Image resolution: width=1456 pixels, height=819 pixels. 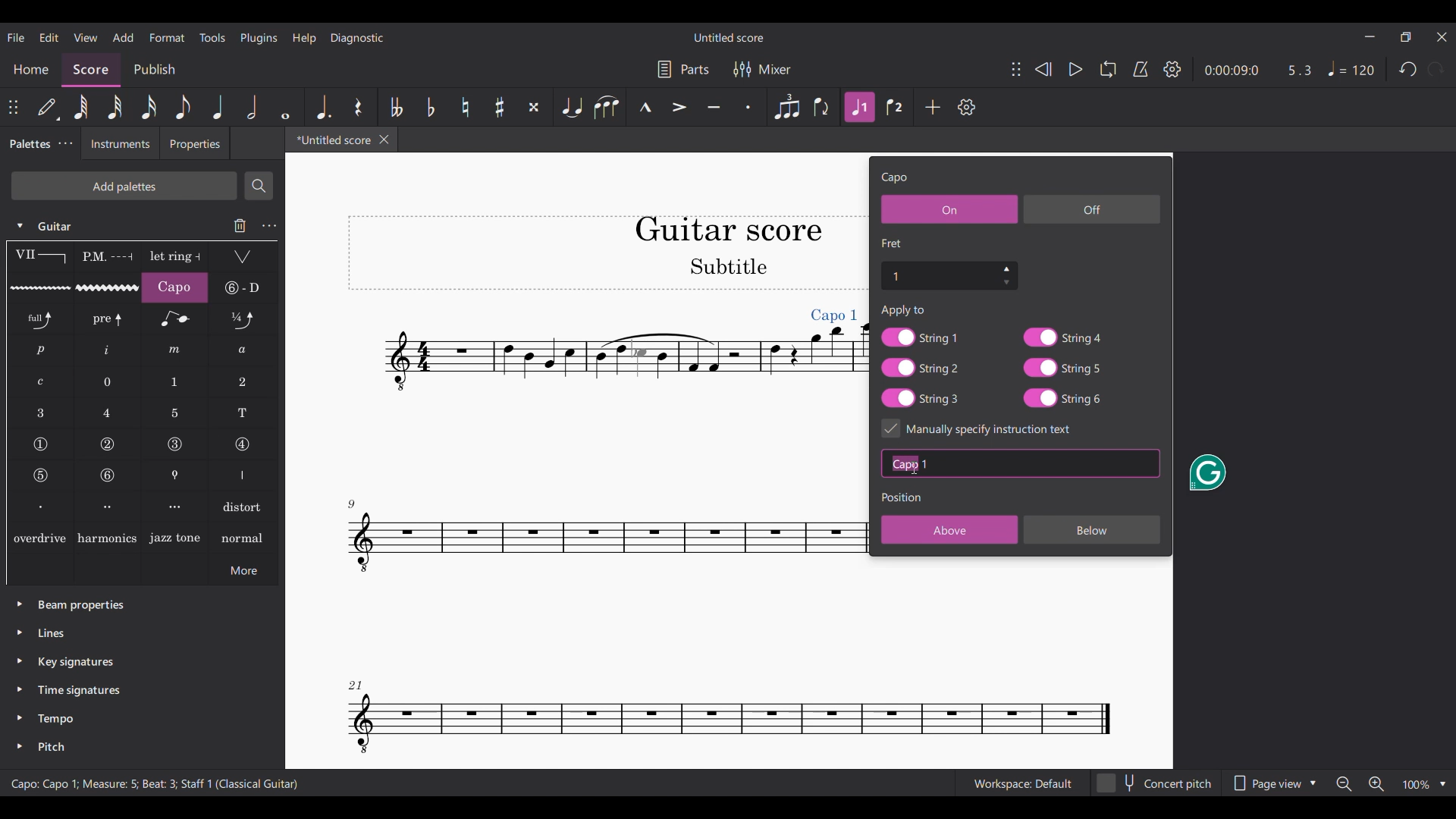 I want to click on Palm mute, so click(x=106, y=257).